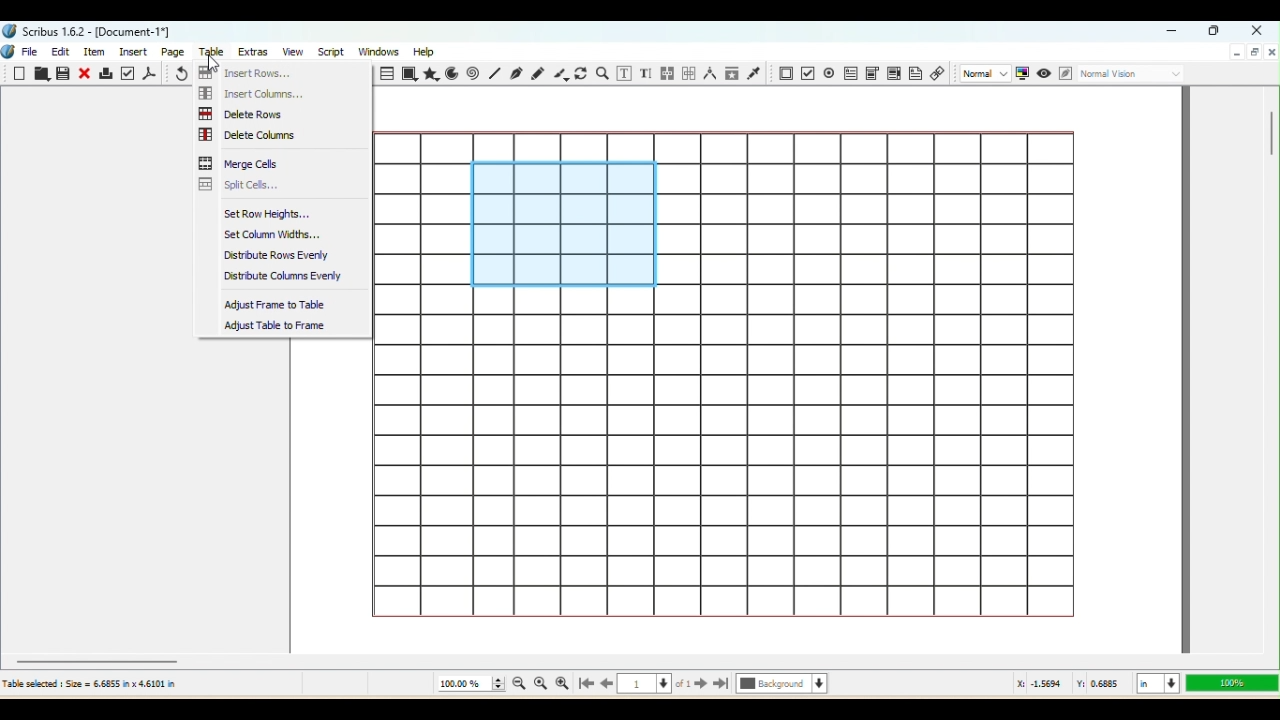 This screenshot has height=720, width=1280. What do you see at coordinates (475, 74) in the screenshot?
I see `Spiral` at bounding box center [475, 74].